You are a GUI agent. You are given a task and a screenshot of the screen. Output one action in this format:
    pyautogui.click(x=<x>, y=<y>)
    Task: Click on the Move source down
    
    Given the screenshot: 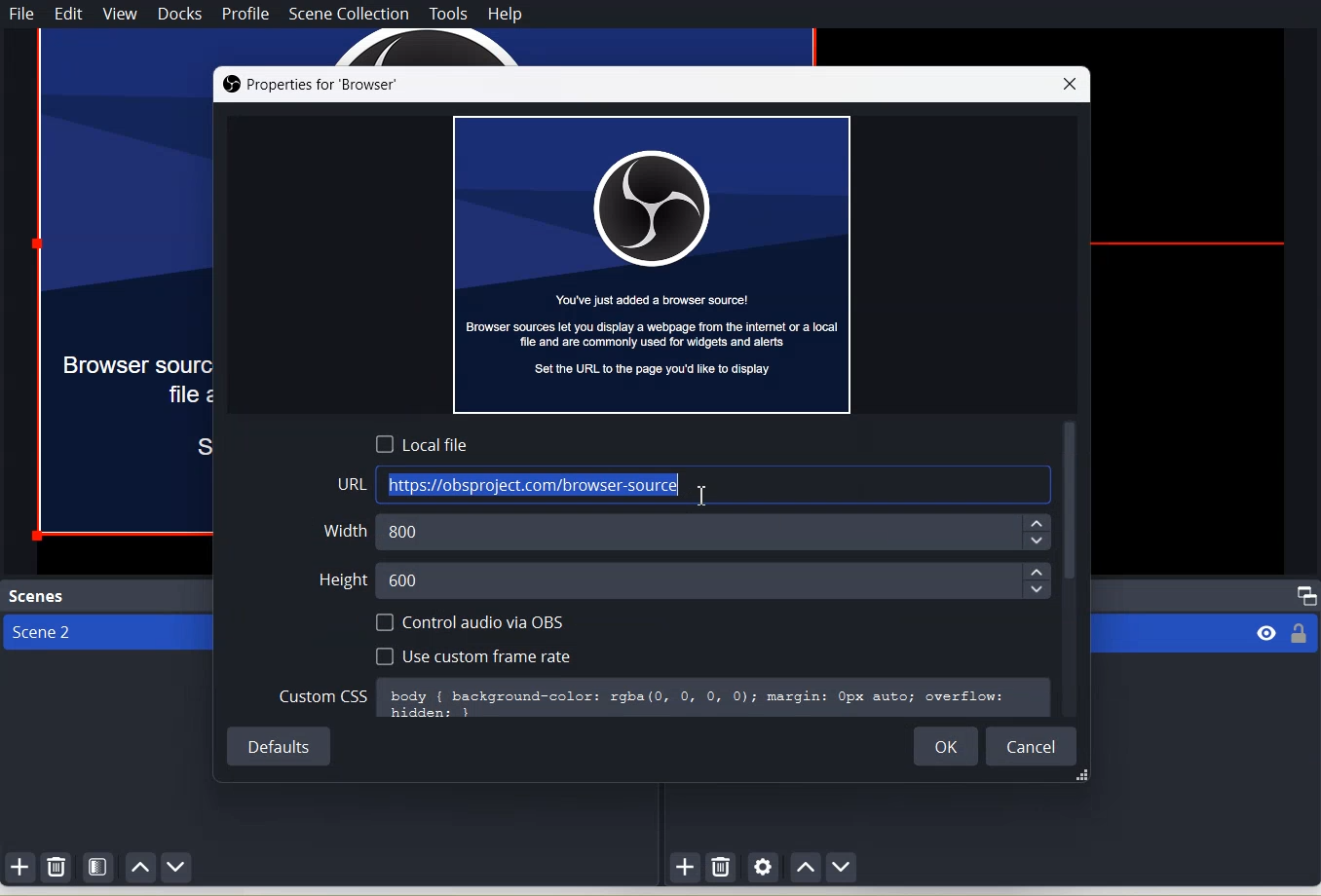 What is the action you would take?
    pyautogui.click(x=843, y=867)
    